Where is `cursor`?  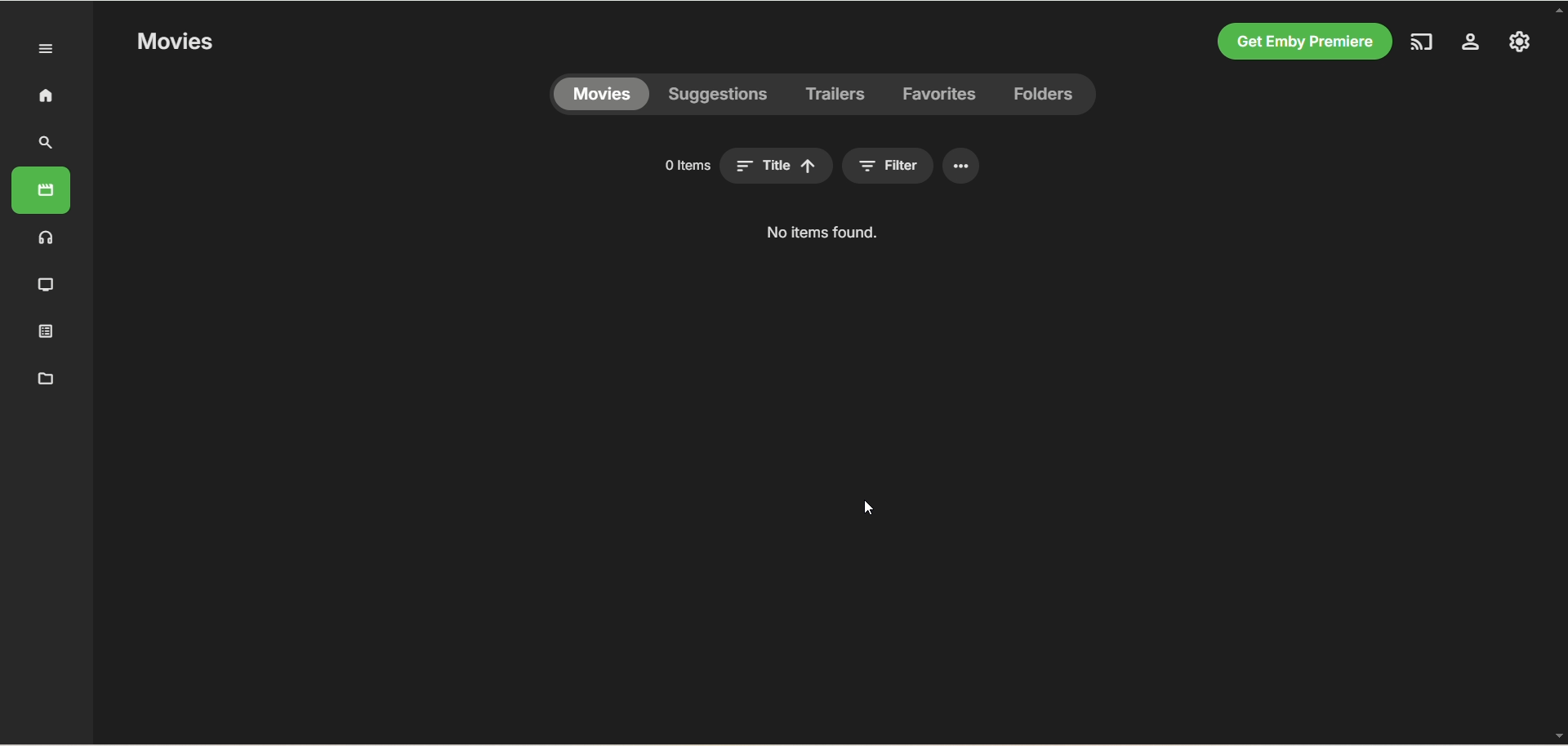
cursor is located at coordinates (870, 508).